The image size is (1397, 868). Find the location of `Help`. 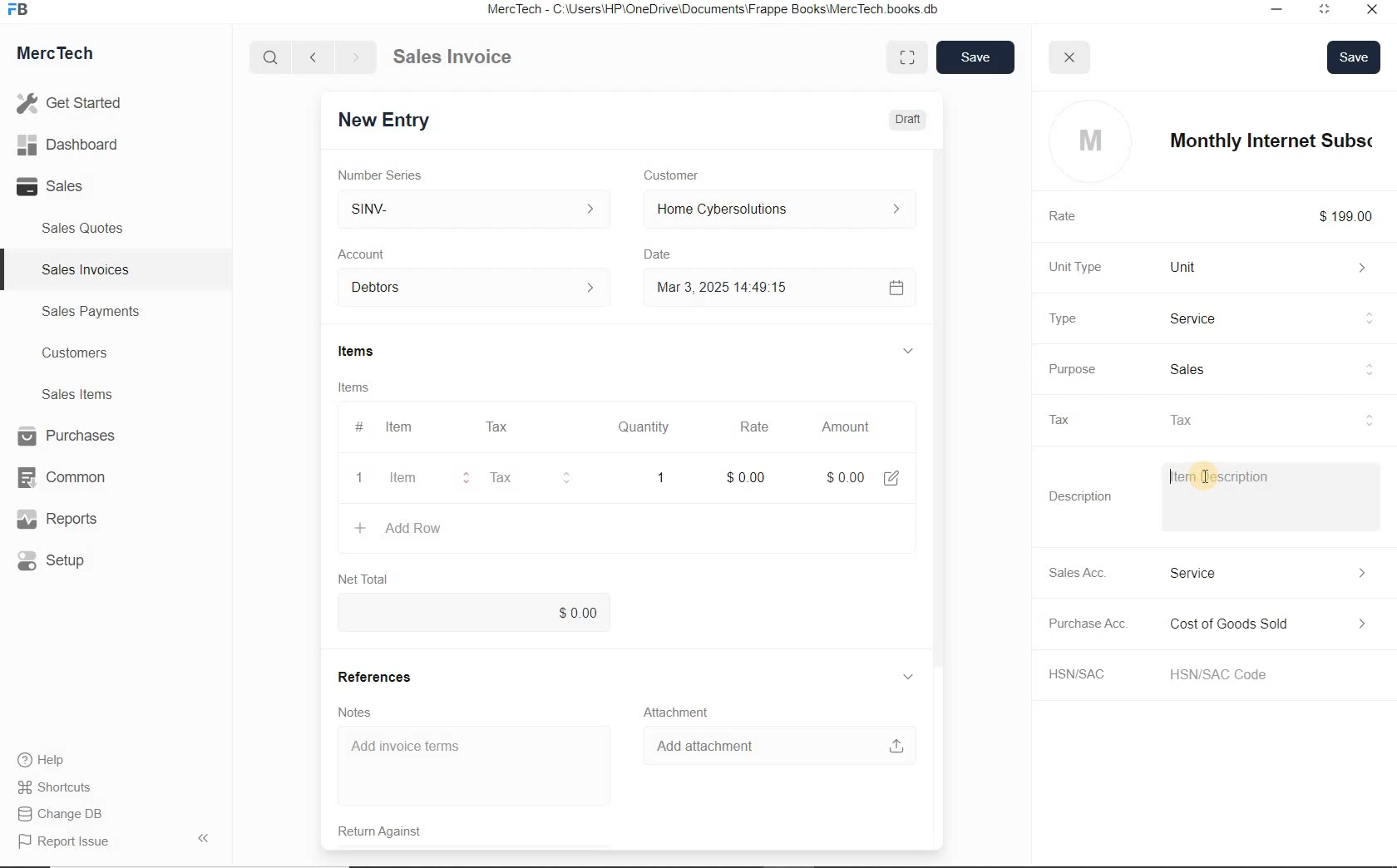

Help is located at coordinates (50, 760).